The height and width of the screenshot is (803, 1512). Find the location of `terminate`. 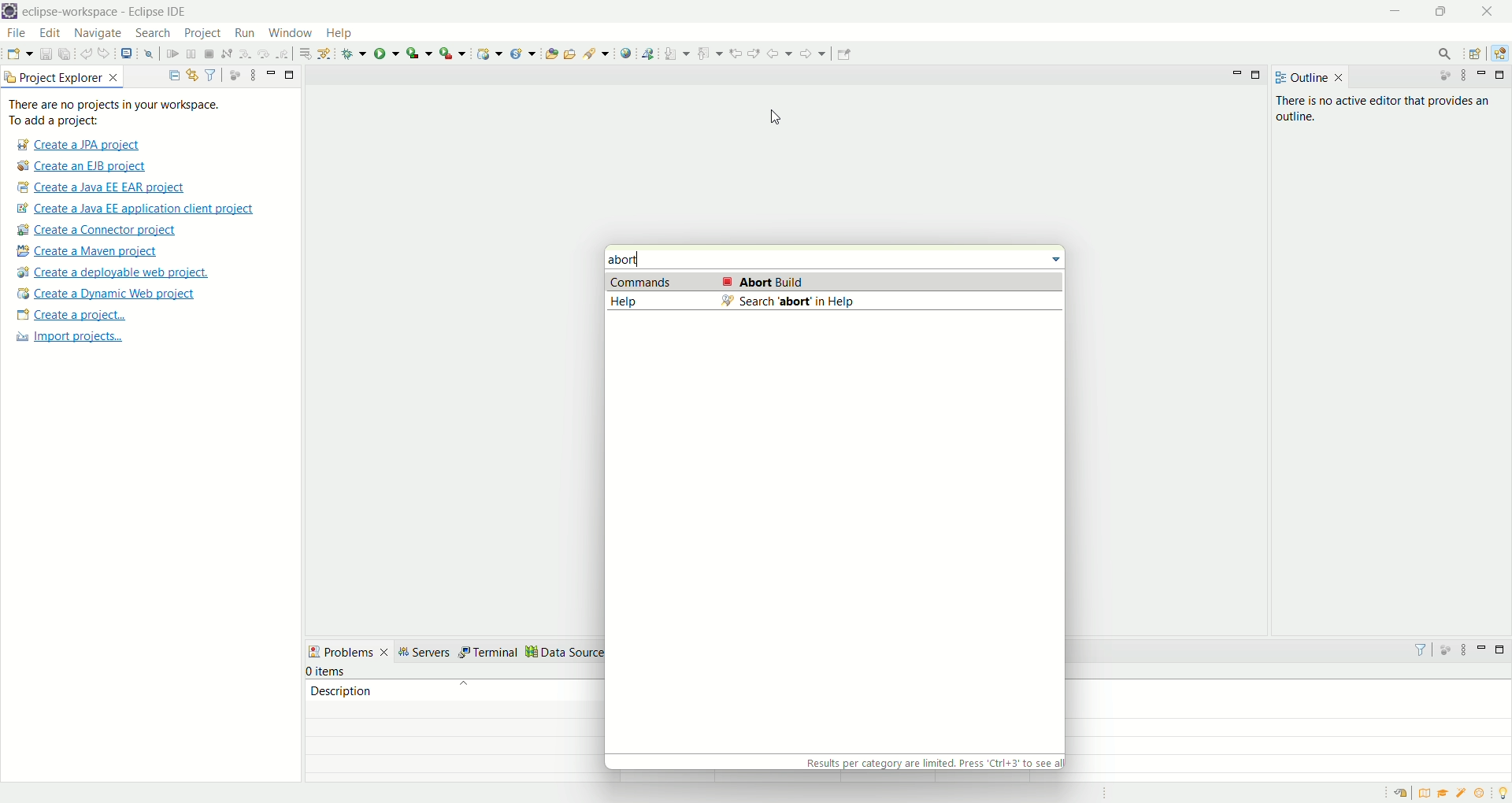

terminate is located at coordinates (210, 55).